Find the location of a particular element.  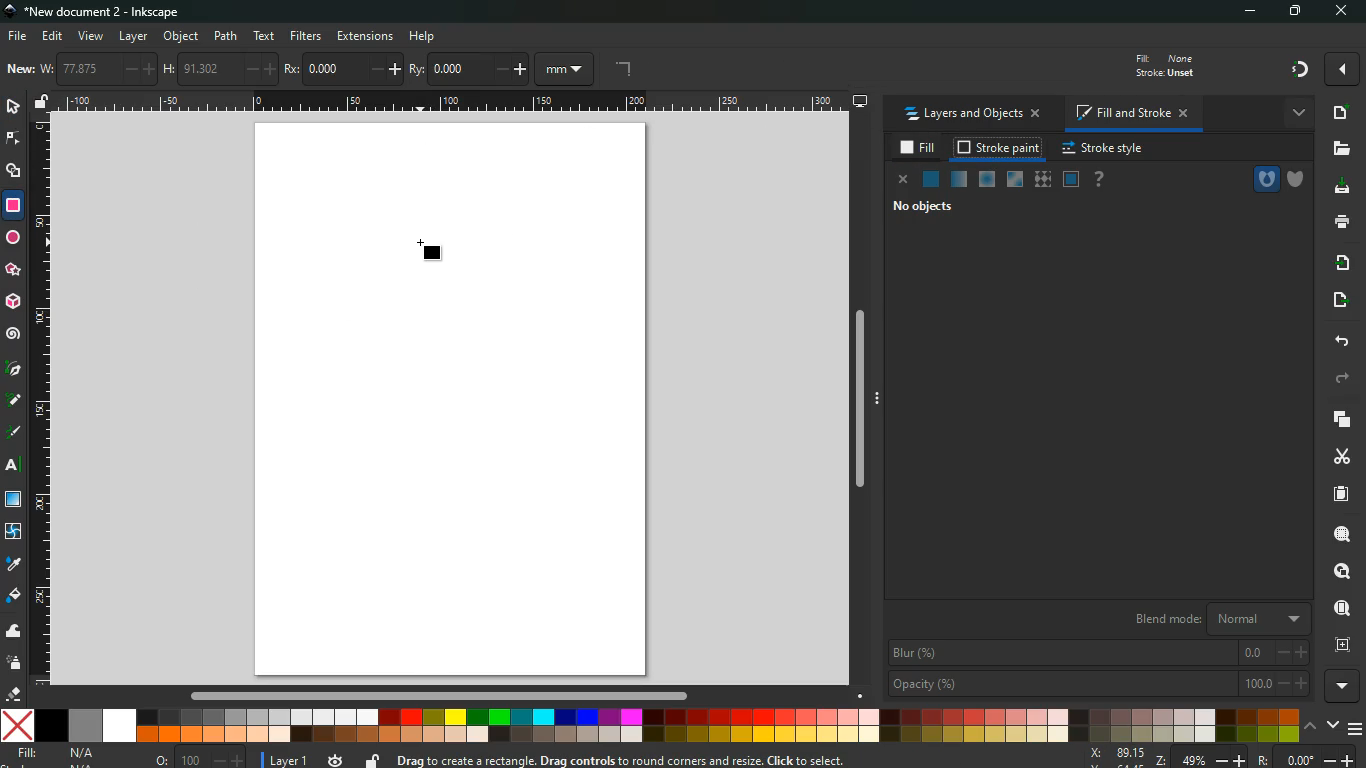

h is located at coordinates (219, 69).